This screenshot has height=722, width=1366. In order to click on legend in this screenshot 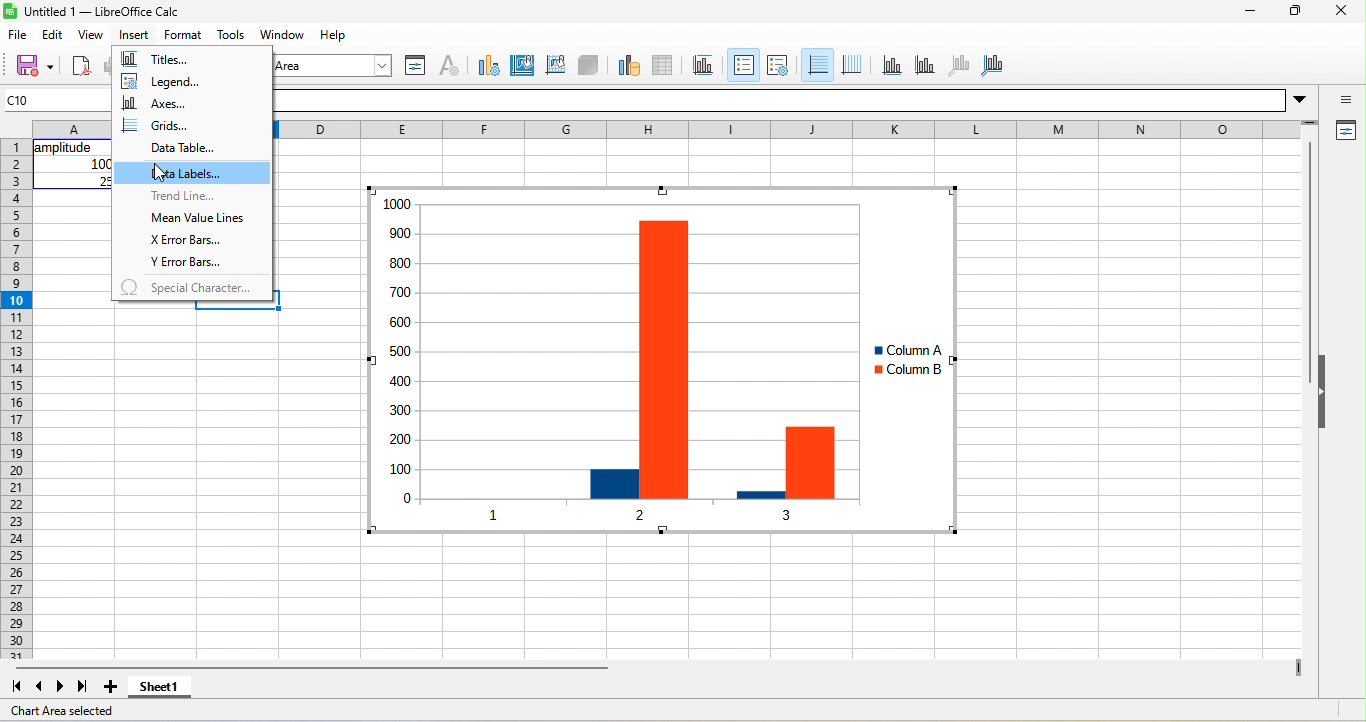, I will do `click(777, 65)`.